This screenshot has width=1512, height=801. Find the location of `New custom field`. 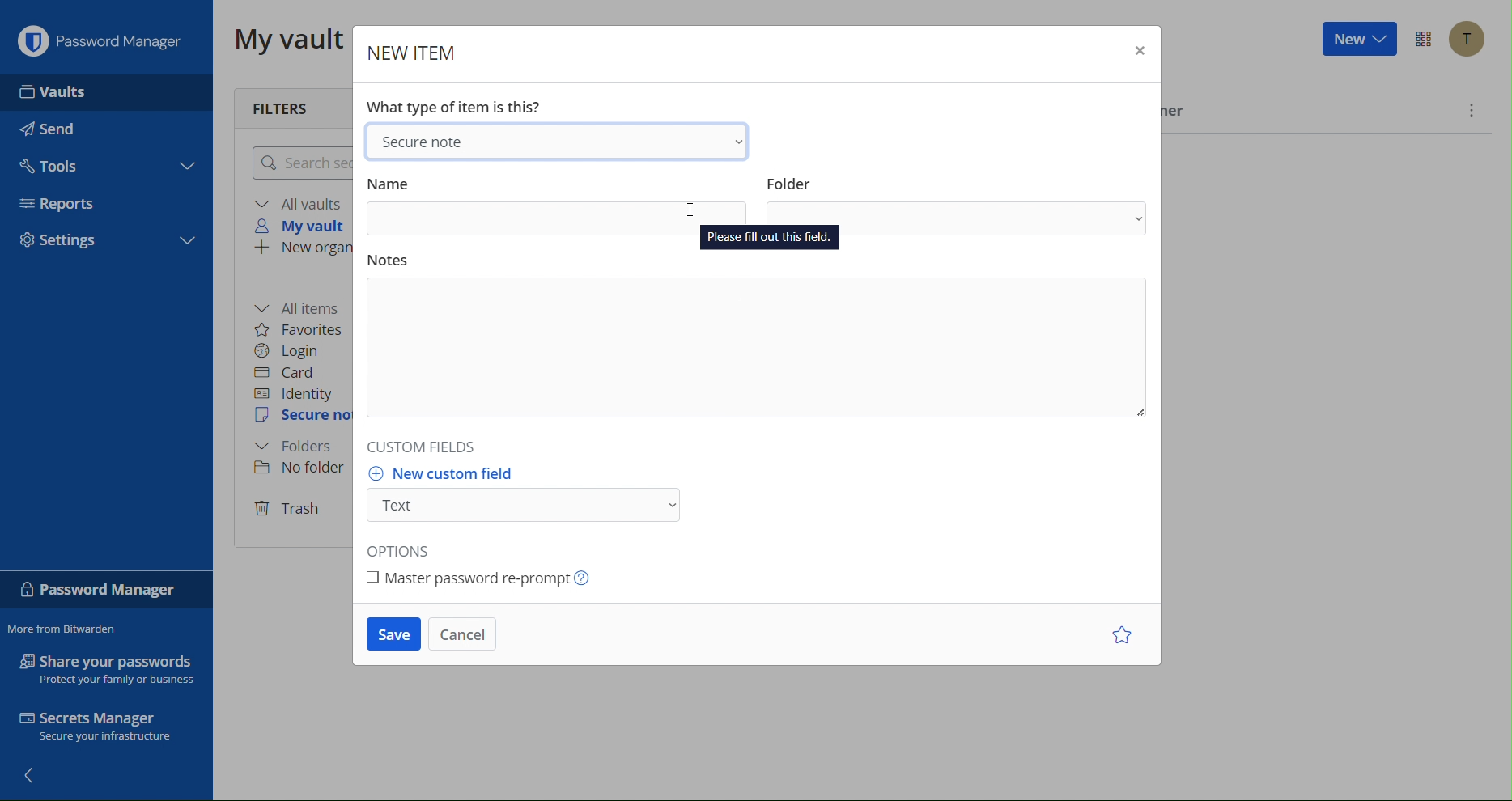

New custom field is located at coordinates (525, 495).